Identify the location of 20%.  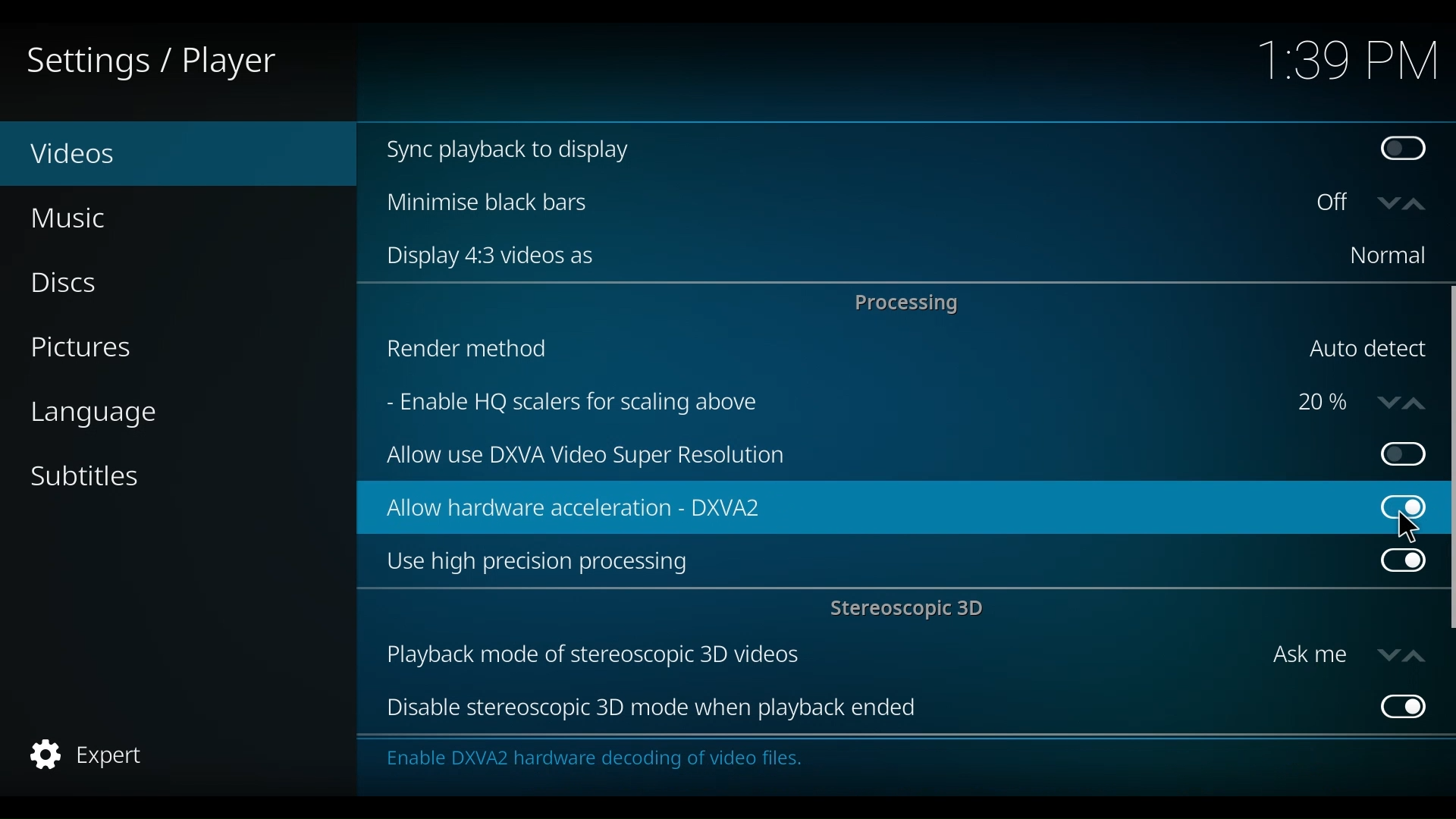
(1323, 403).